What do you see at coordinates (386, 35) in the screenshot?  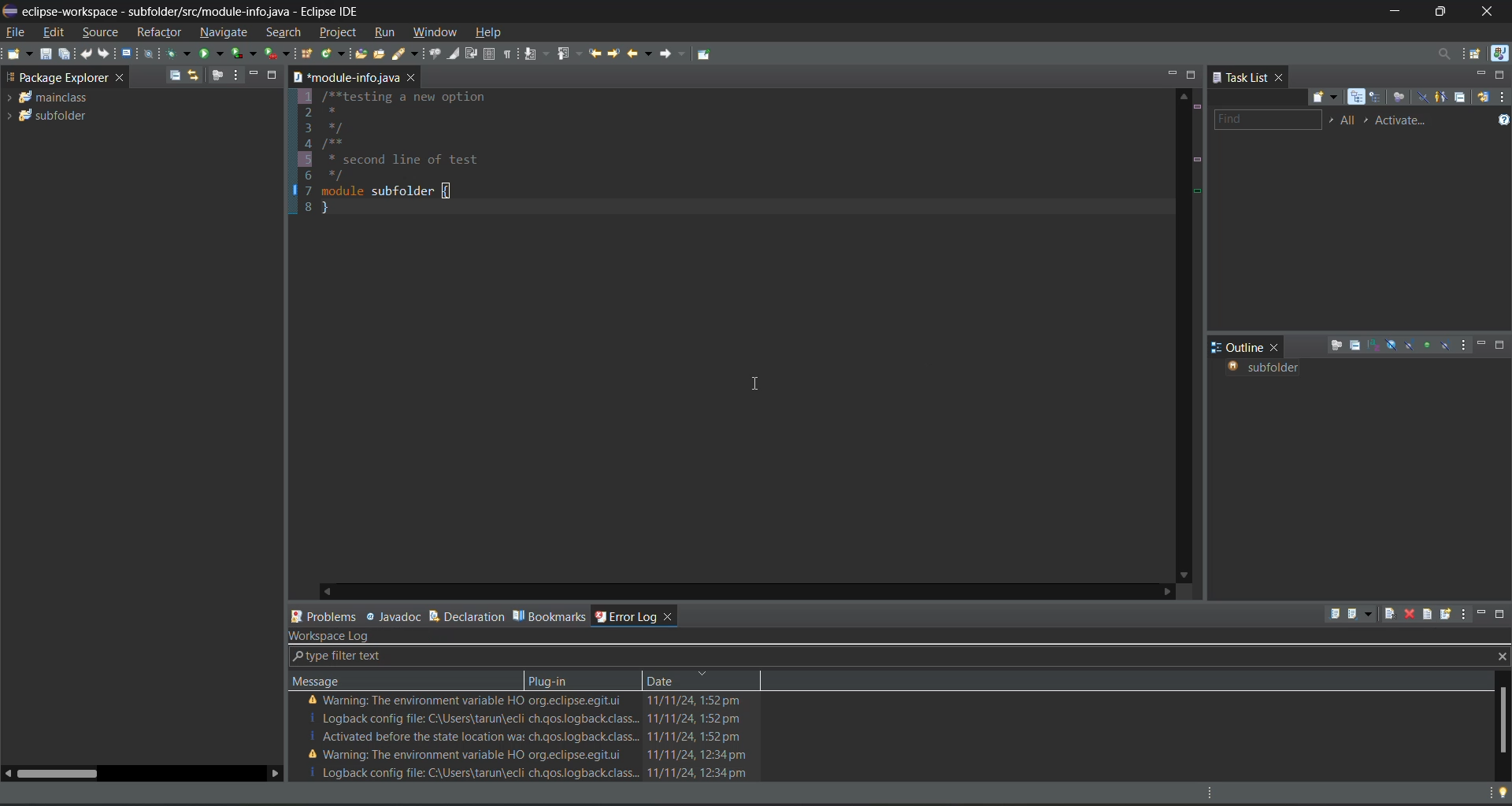 I see `run` at bounding box center [386, 35].